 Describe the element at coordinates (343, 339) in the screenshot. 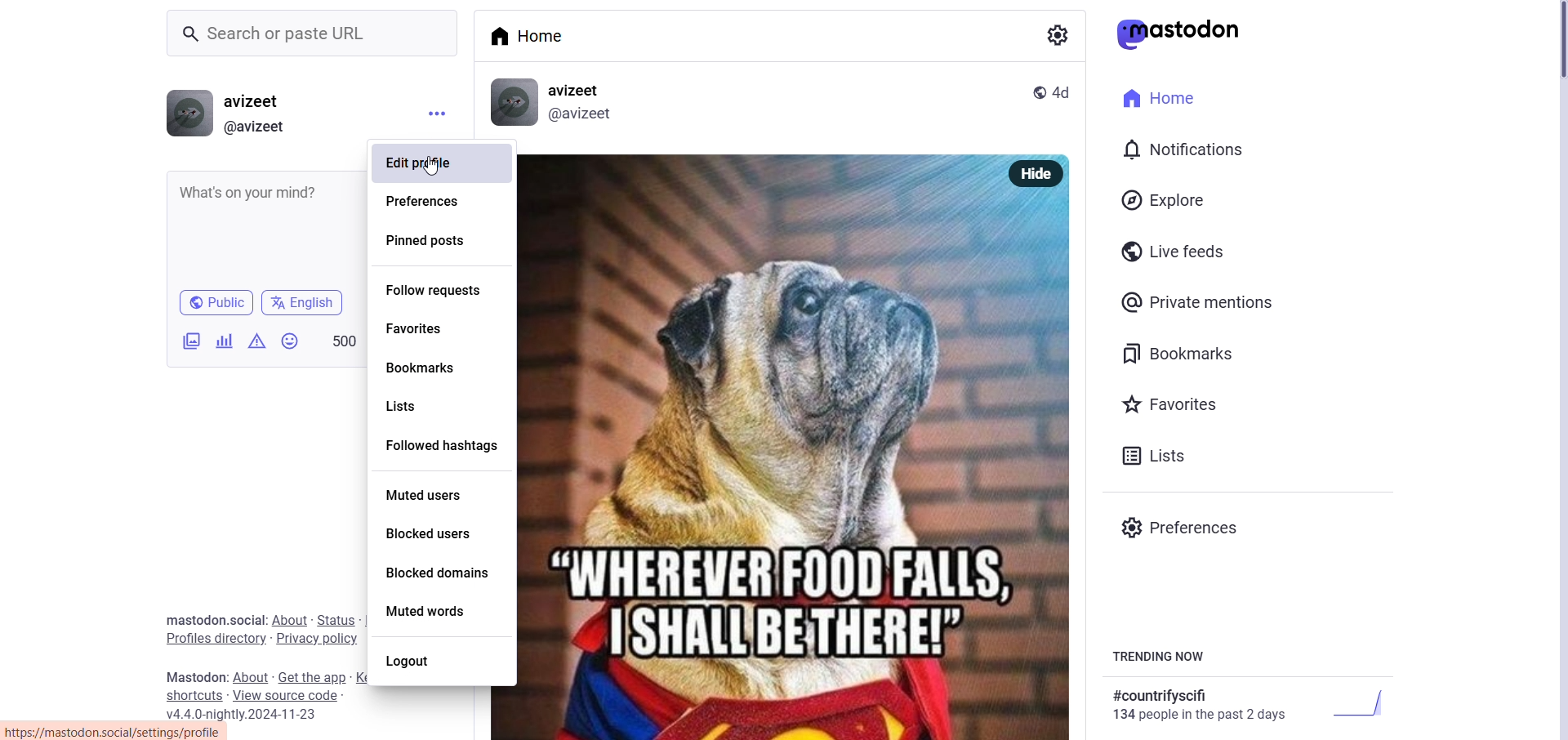

I see `word limit` at that location.